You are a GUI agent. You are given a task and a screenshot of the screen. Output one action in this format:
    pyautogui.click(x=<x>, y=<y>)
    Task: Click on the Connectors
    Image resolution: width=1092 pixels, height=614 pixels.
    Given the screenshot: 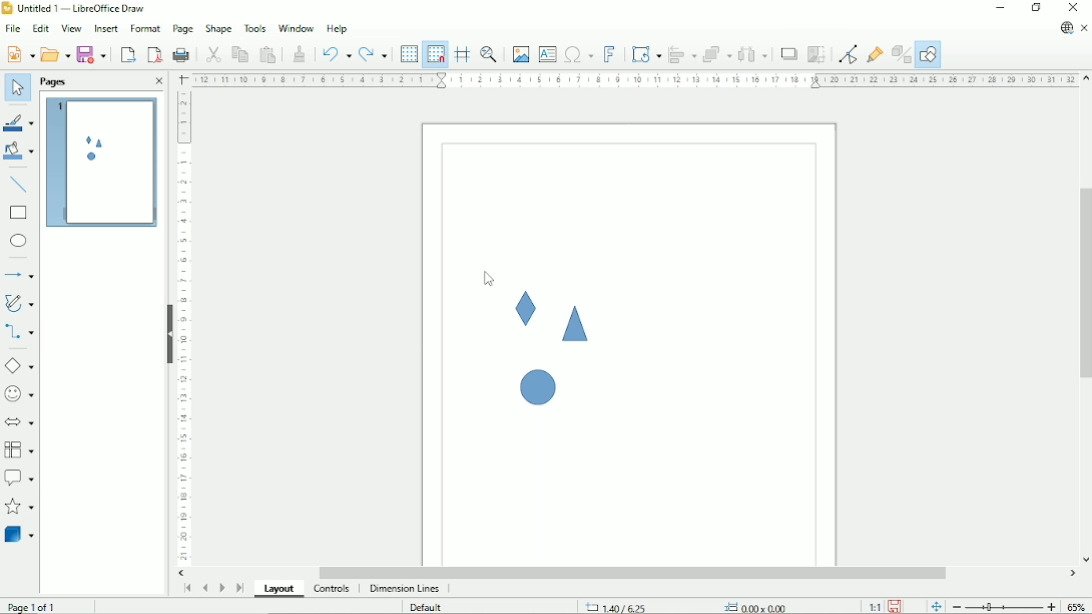 What is the action you would take?
    pyautogui.click(x=19, y=333)
    